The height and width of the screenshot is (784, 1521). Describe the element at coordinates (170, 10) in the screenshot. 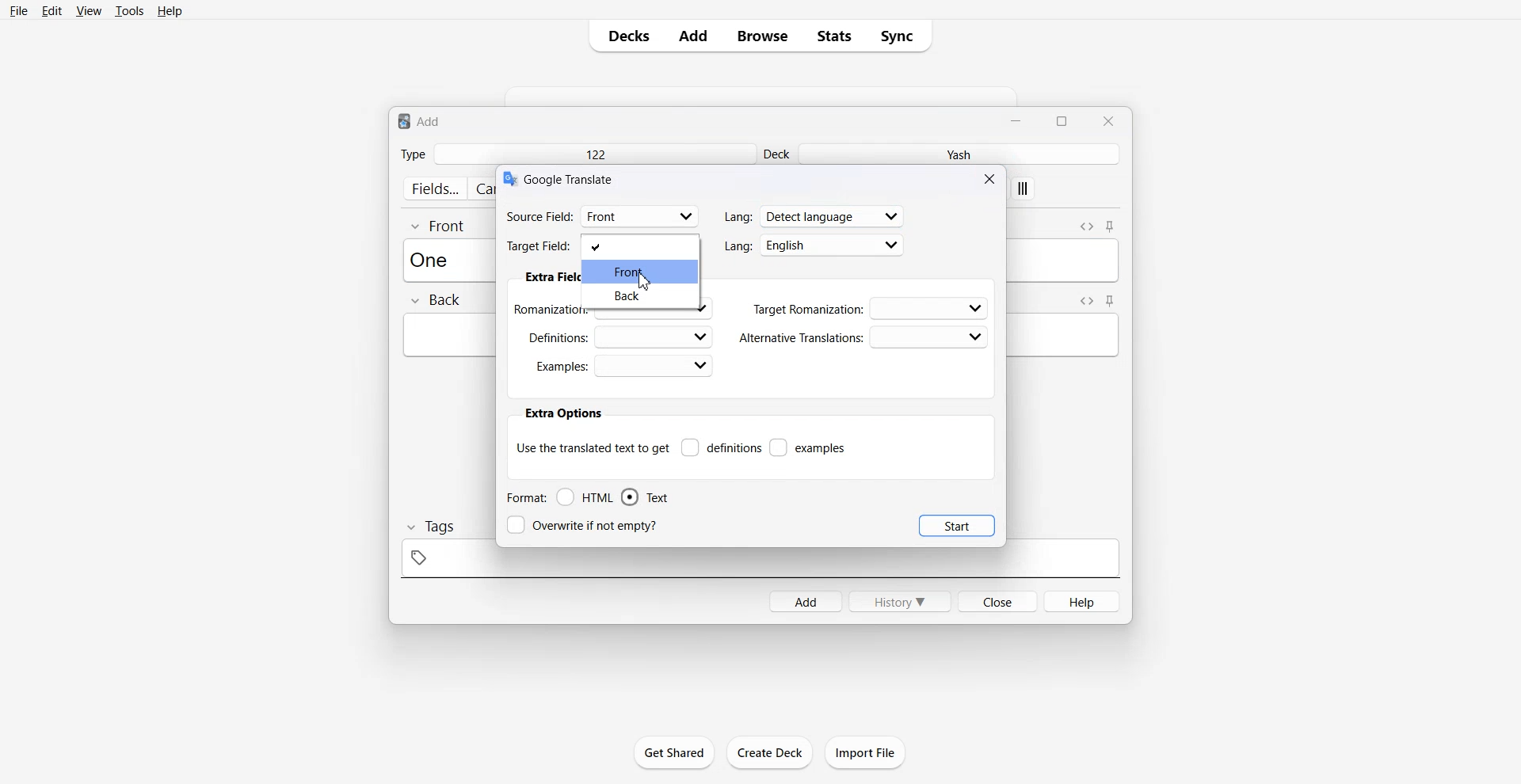

I see `Help` at that location.